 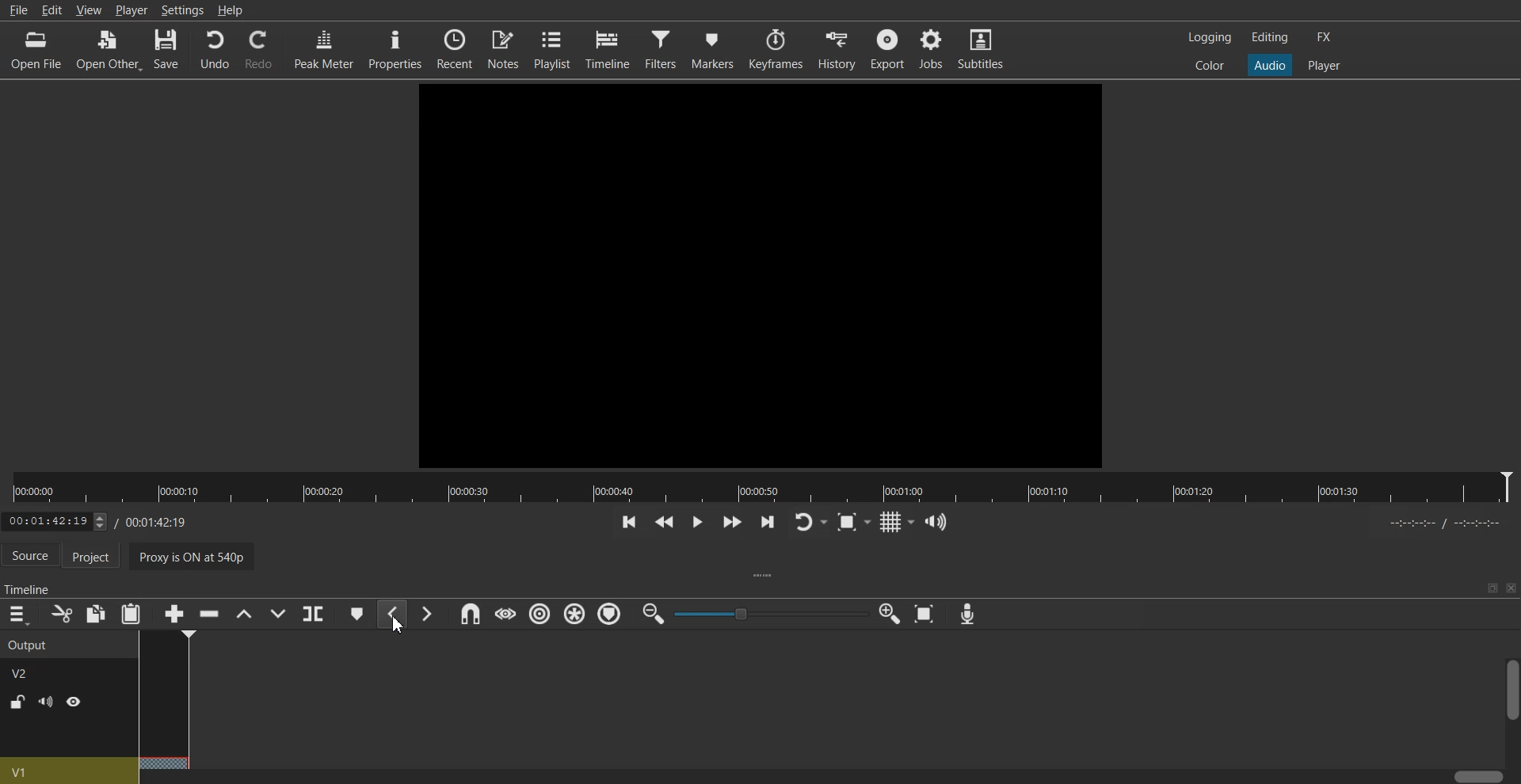 What do you see at coordinates (17, 11) in the screenshot?
I see `File` at bounding box center [17, 11].